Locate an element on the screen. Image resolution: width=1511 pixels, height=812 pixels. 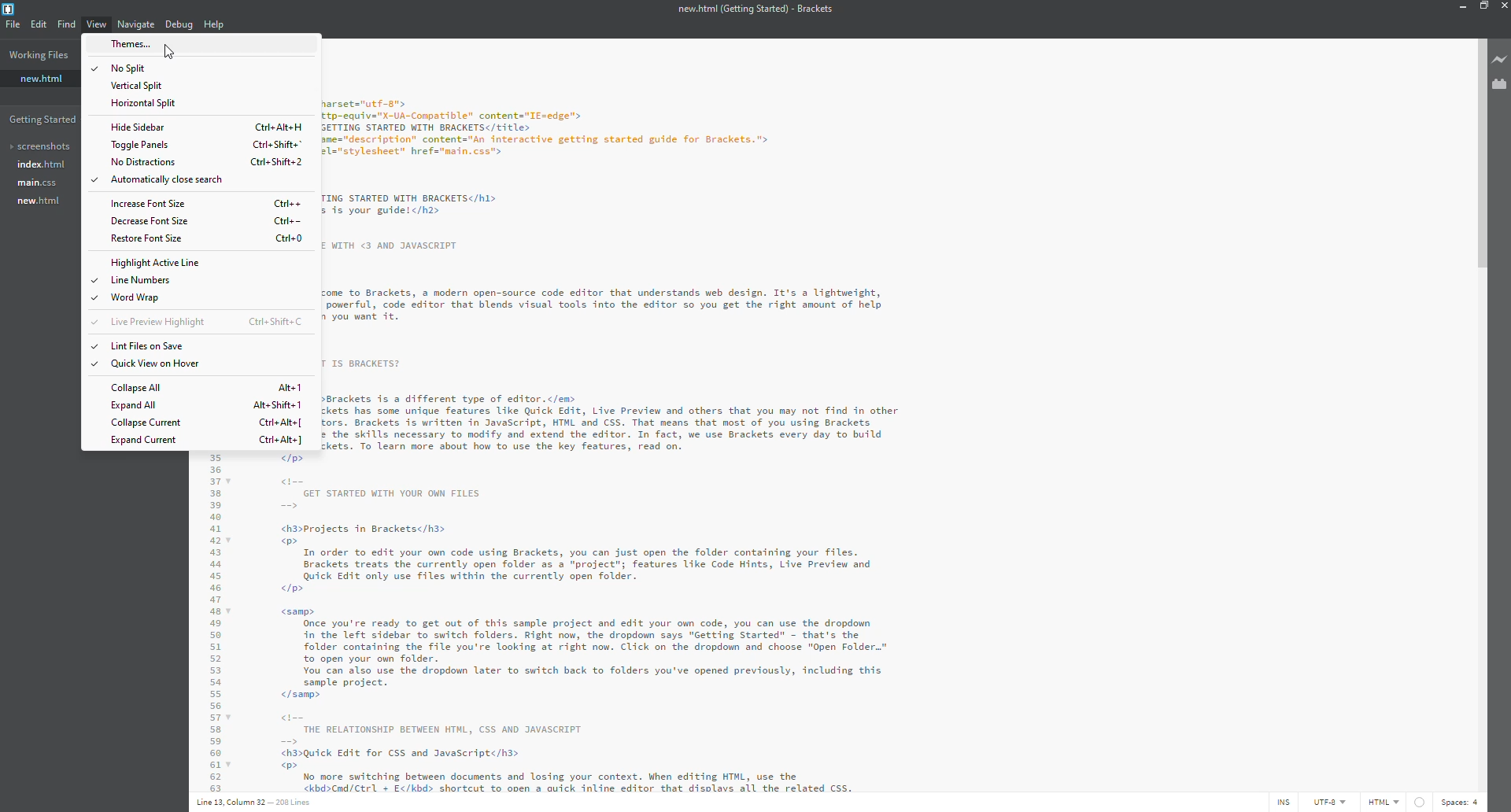
selected is located at coordinates (91, 298).